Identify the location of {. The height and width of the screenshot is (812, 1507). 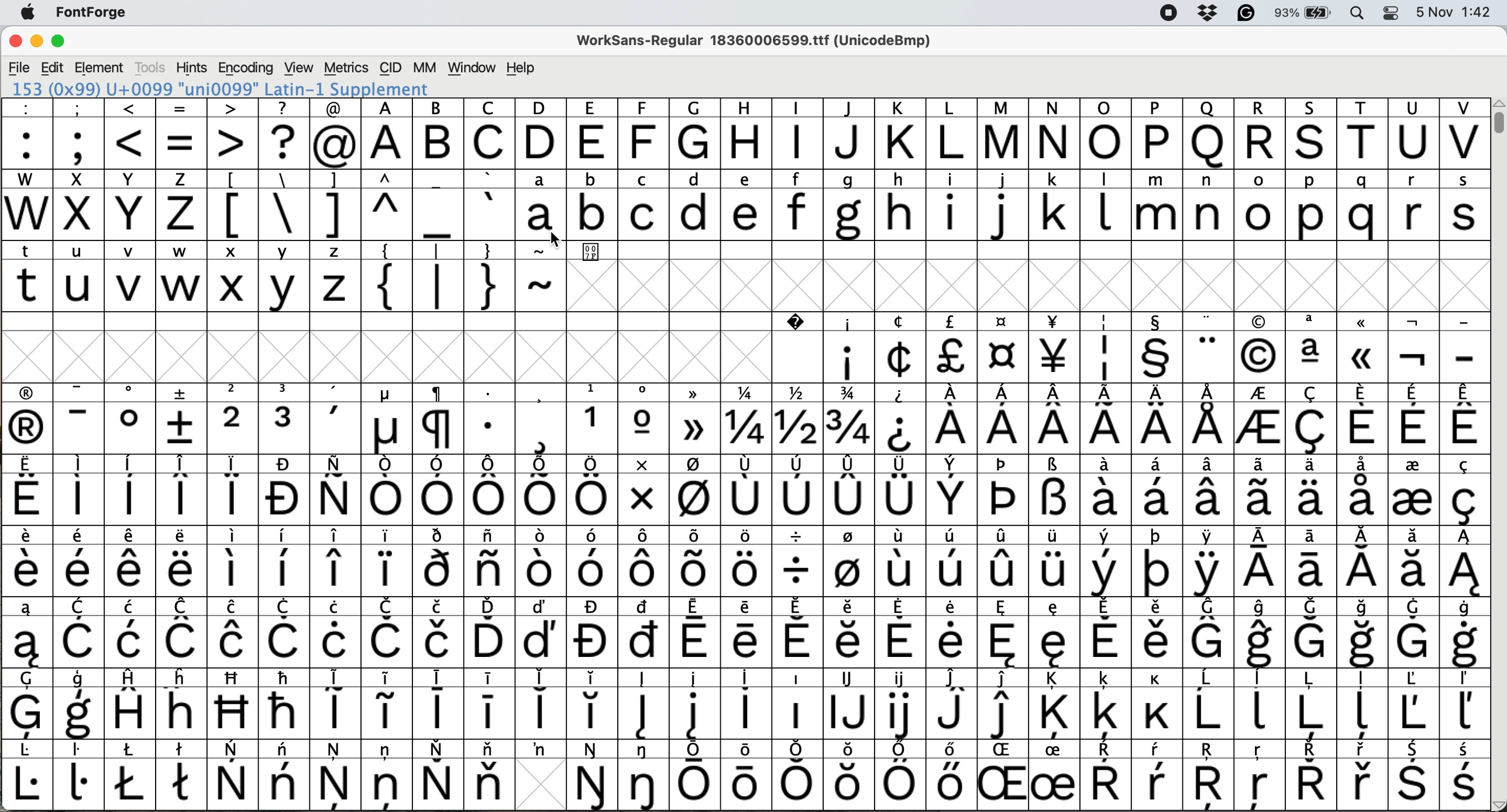
(387, 276).